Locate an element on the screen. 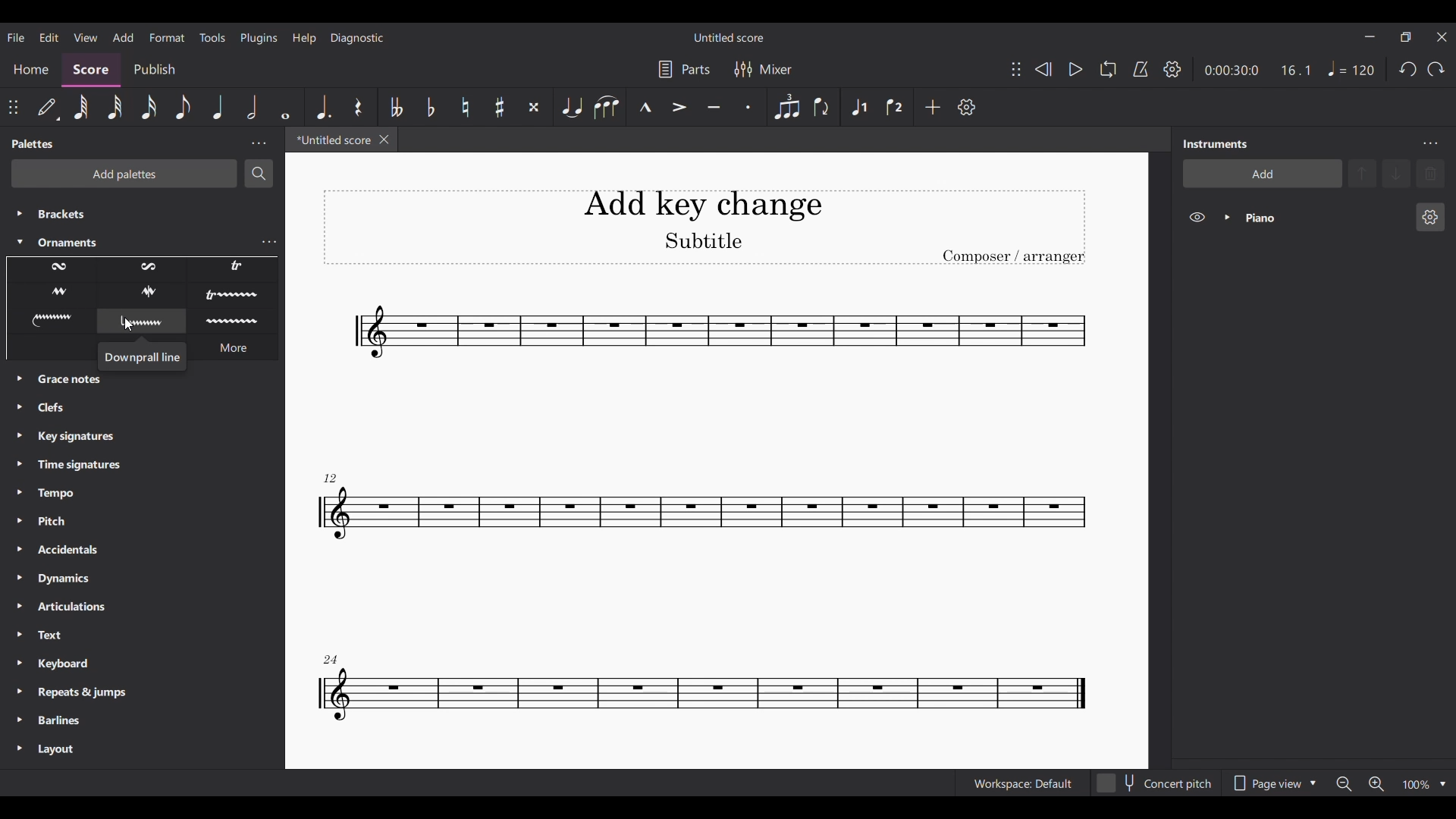  Current score is located at coordinates (701, 512).